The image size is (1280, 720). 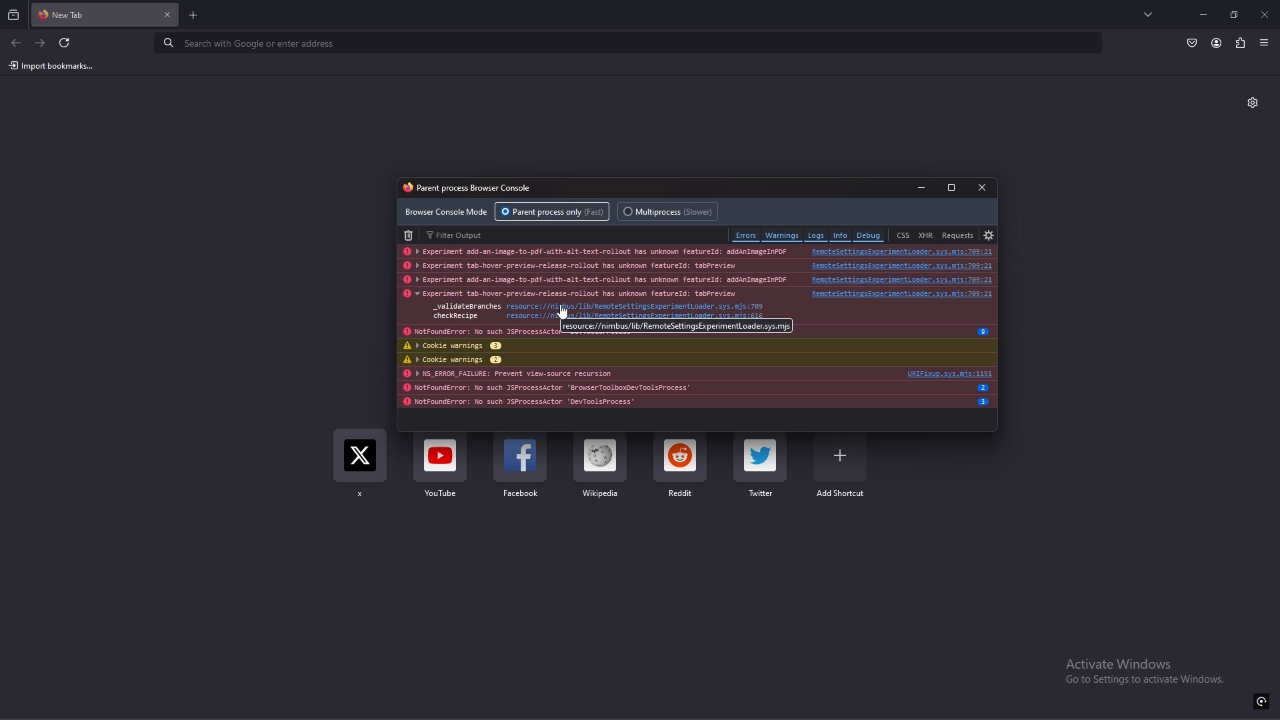 I want to click on tab, so click(x=85, y=15).